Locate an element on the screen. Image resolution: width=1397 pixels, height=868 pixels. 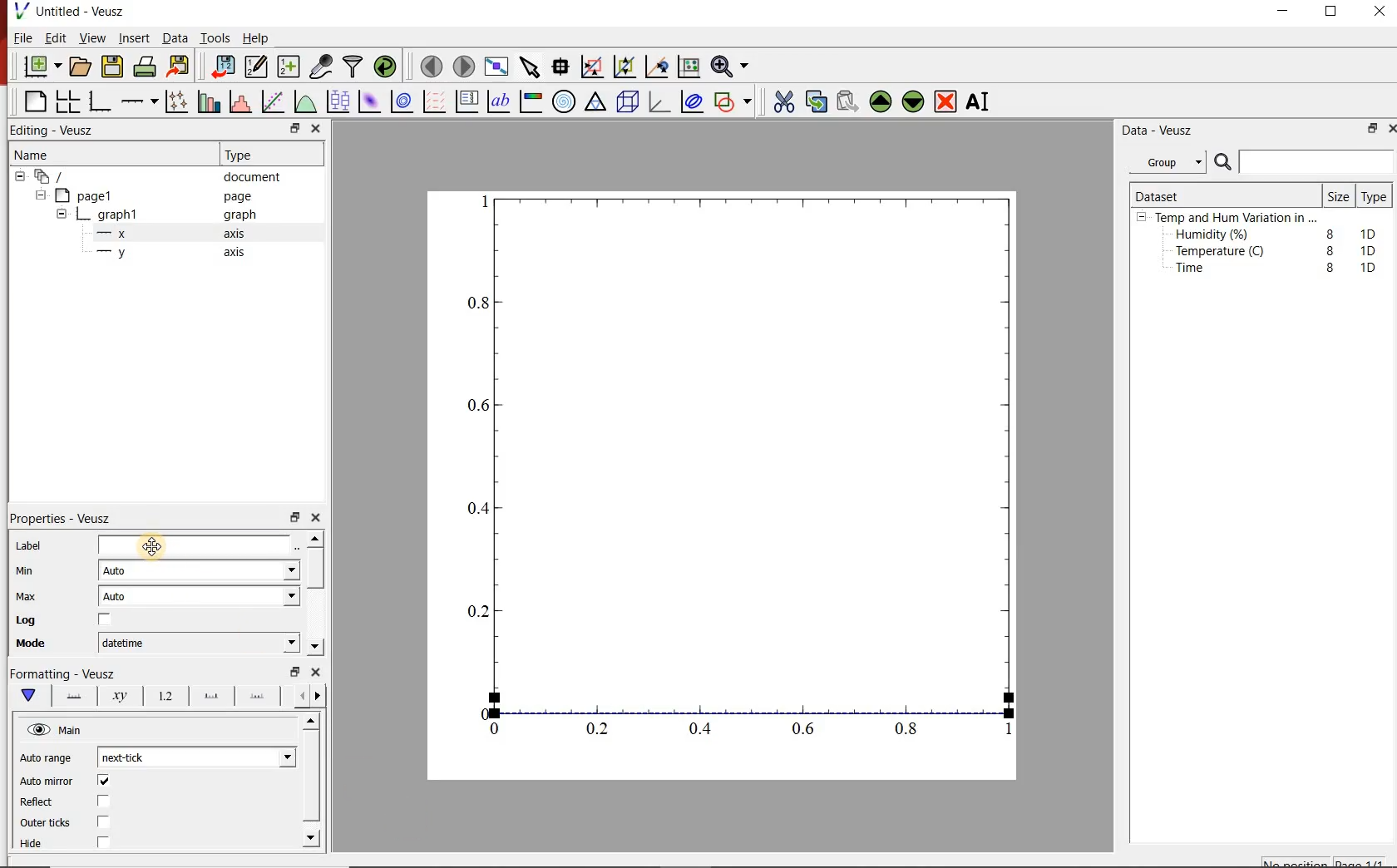
1D is located at coordinates (1368, 267).